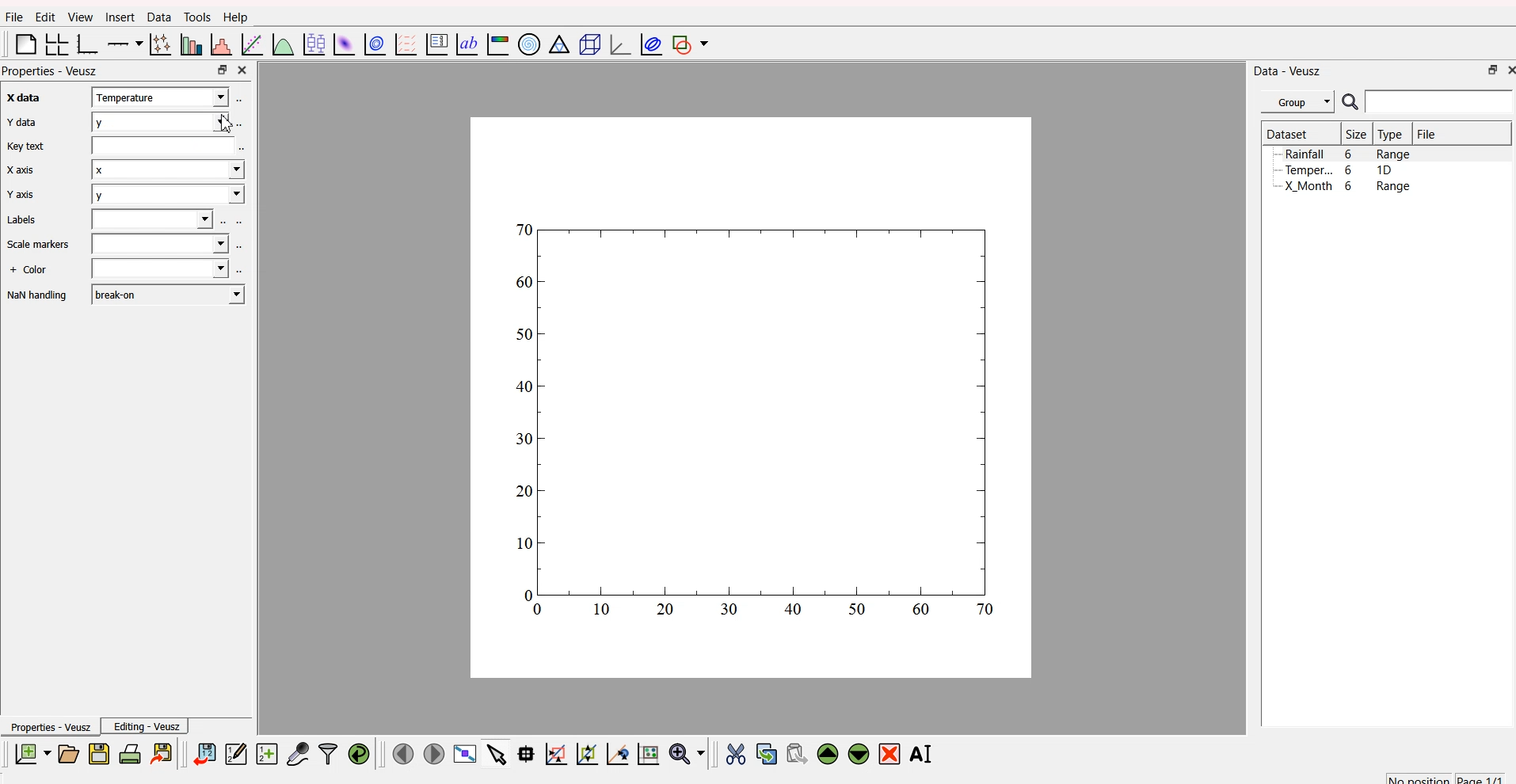 The height and width of the screenshot is (784, 1516). What do you see at coordinates (297, 751) in the screenshot?
I see `capture a dataset` at bounding box center [297, 751].